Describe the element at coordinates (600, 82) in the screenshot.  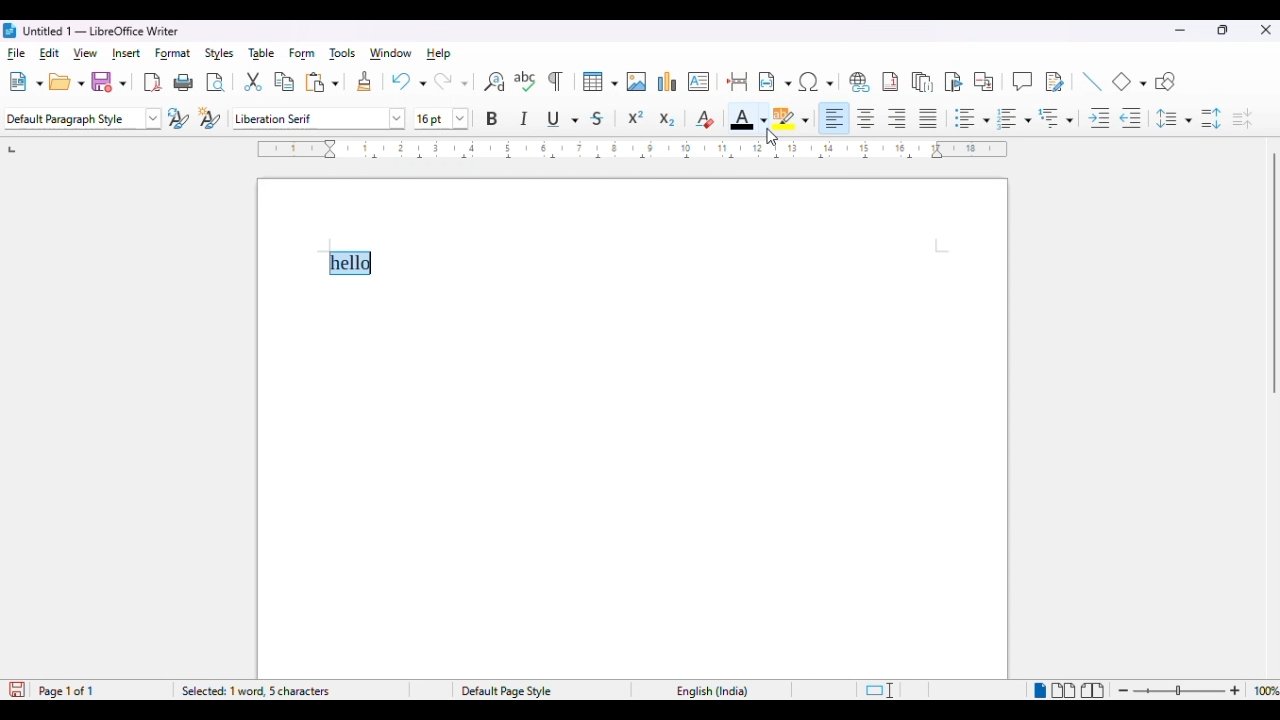
I see `insert table` at that location.